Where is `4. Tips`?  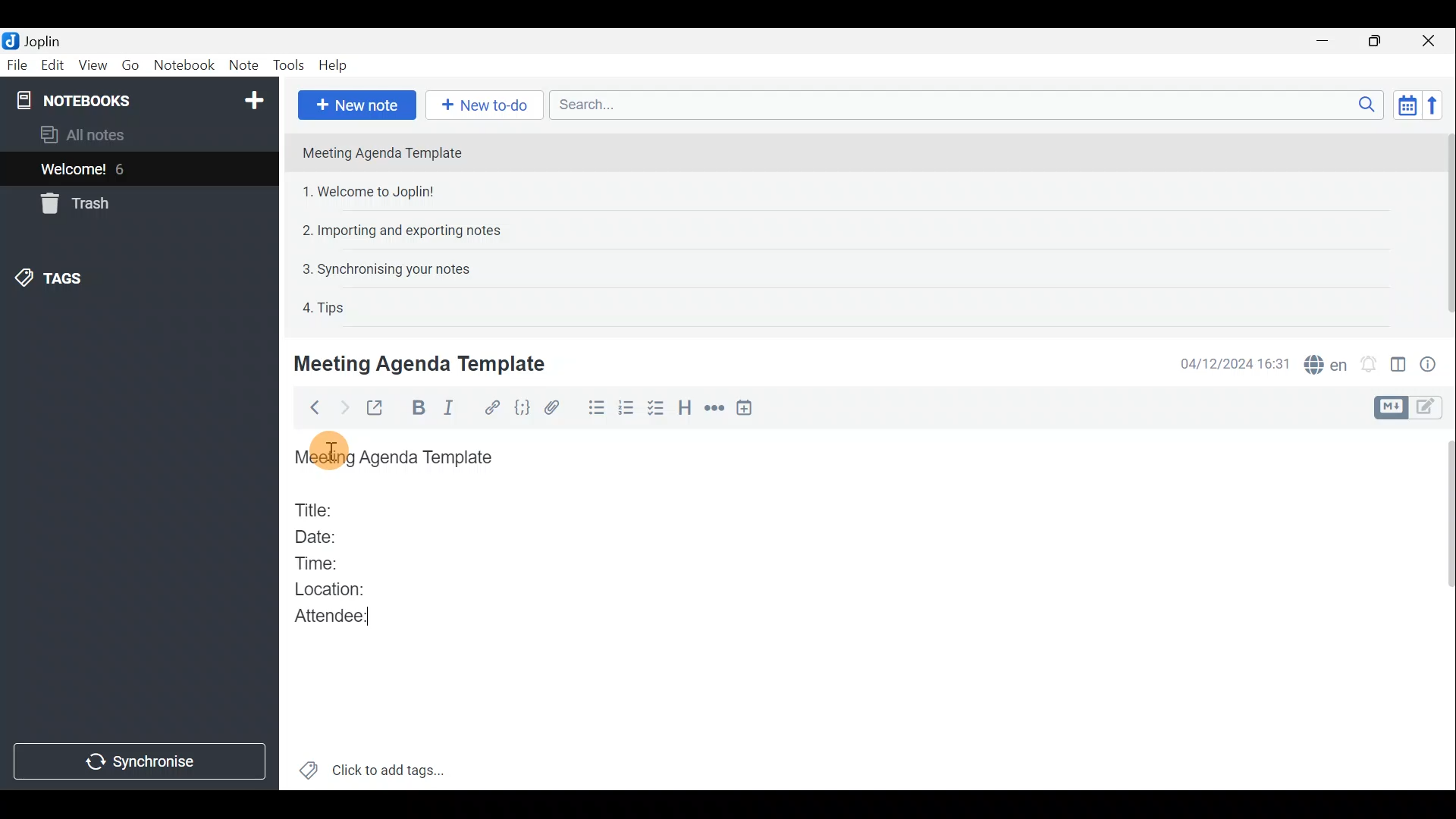 4. Tips is located at coordinates (325, 307).